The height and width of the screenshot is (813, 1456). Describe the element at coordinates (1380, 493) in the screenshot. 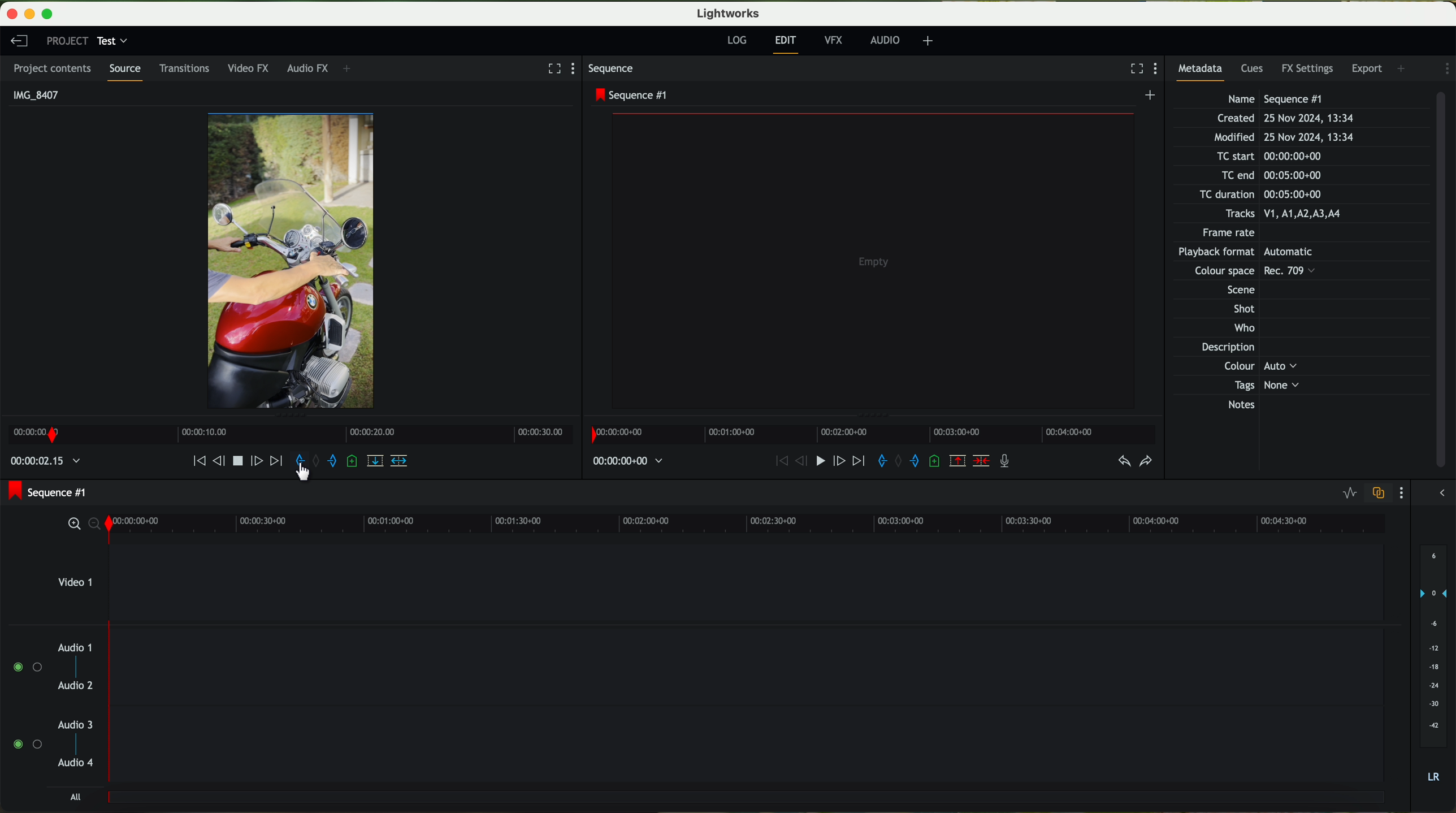

I see `toggle audio track sync` at that location.